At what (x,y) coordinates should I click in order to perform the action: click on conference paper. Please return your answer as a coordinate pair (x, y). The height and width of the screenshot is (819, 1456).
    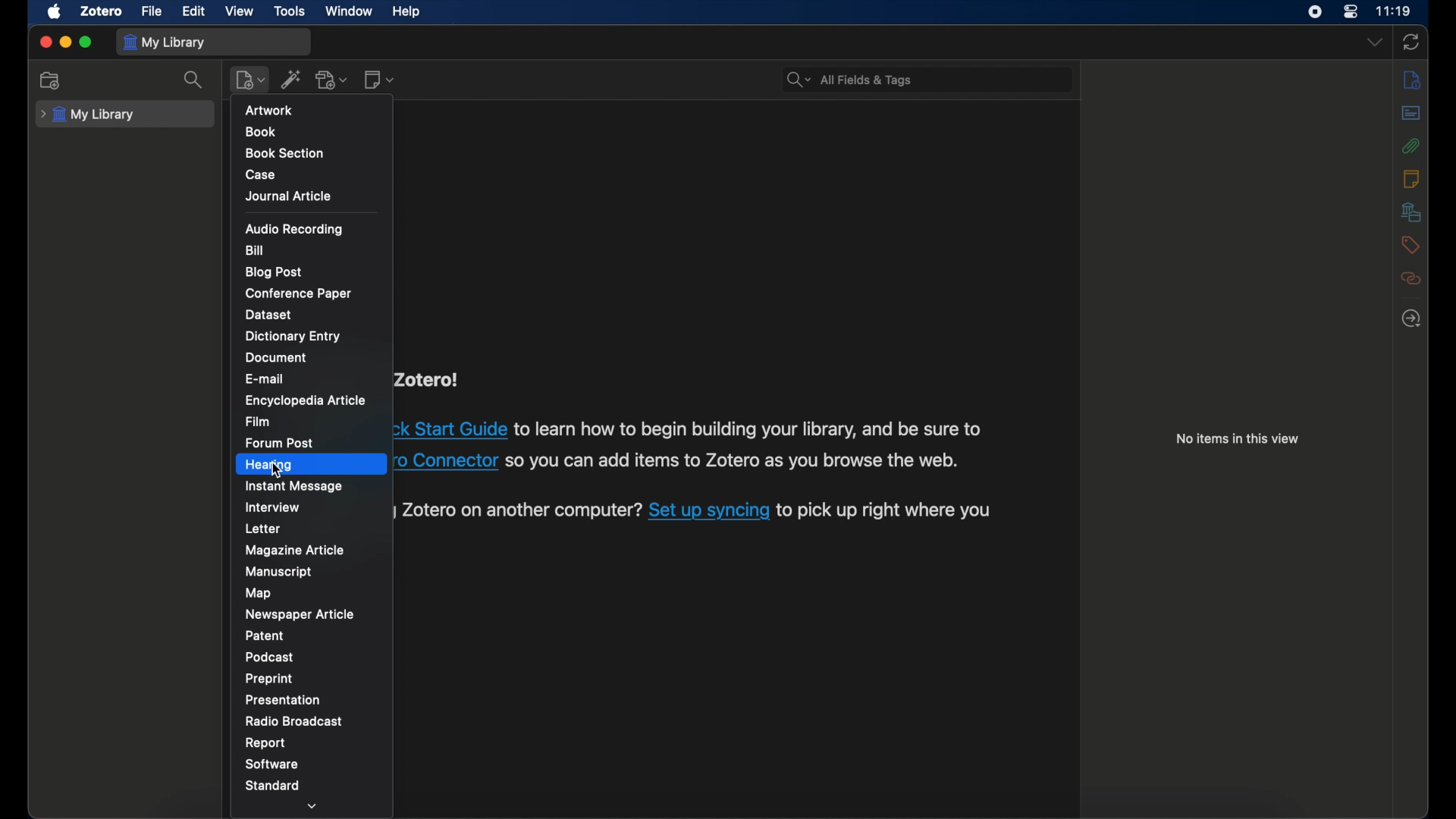
    Looking at the image, I should click on (297, 293).